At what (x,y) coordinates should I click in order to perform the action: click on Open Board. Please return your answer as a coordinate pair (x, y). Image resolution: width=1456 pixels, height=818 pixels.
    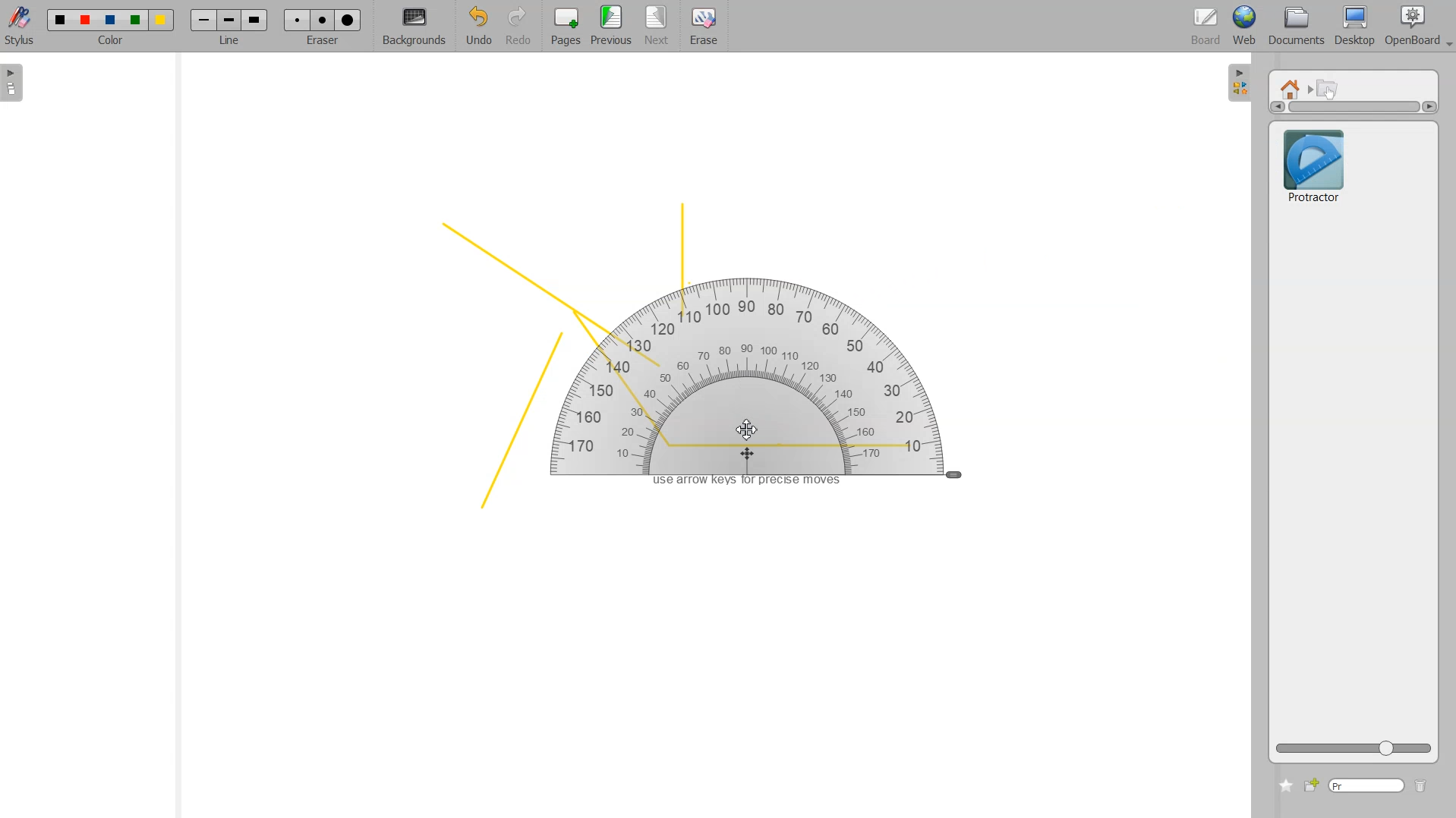
    Looking at the image, I should click on (1418, 27).